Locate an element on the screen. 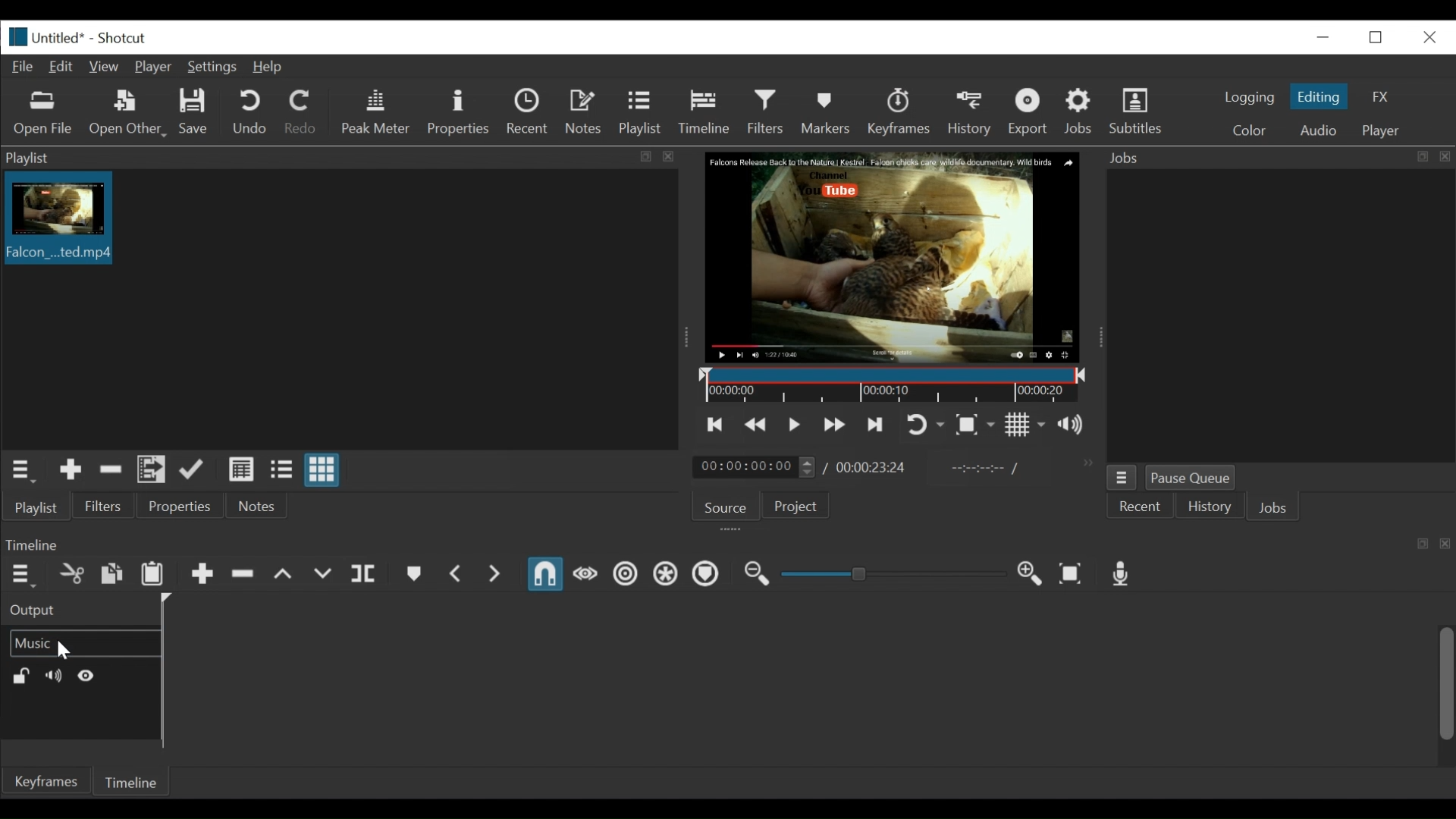  FX is located at coordinates (1377, 96).